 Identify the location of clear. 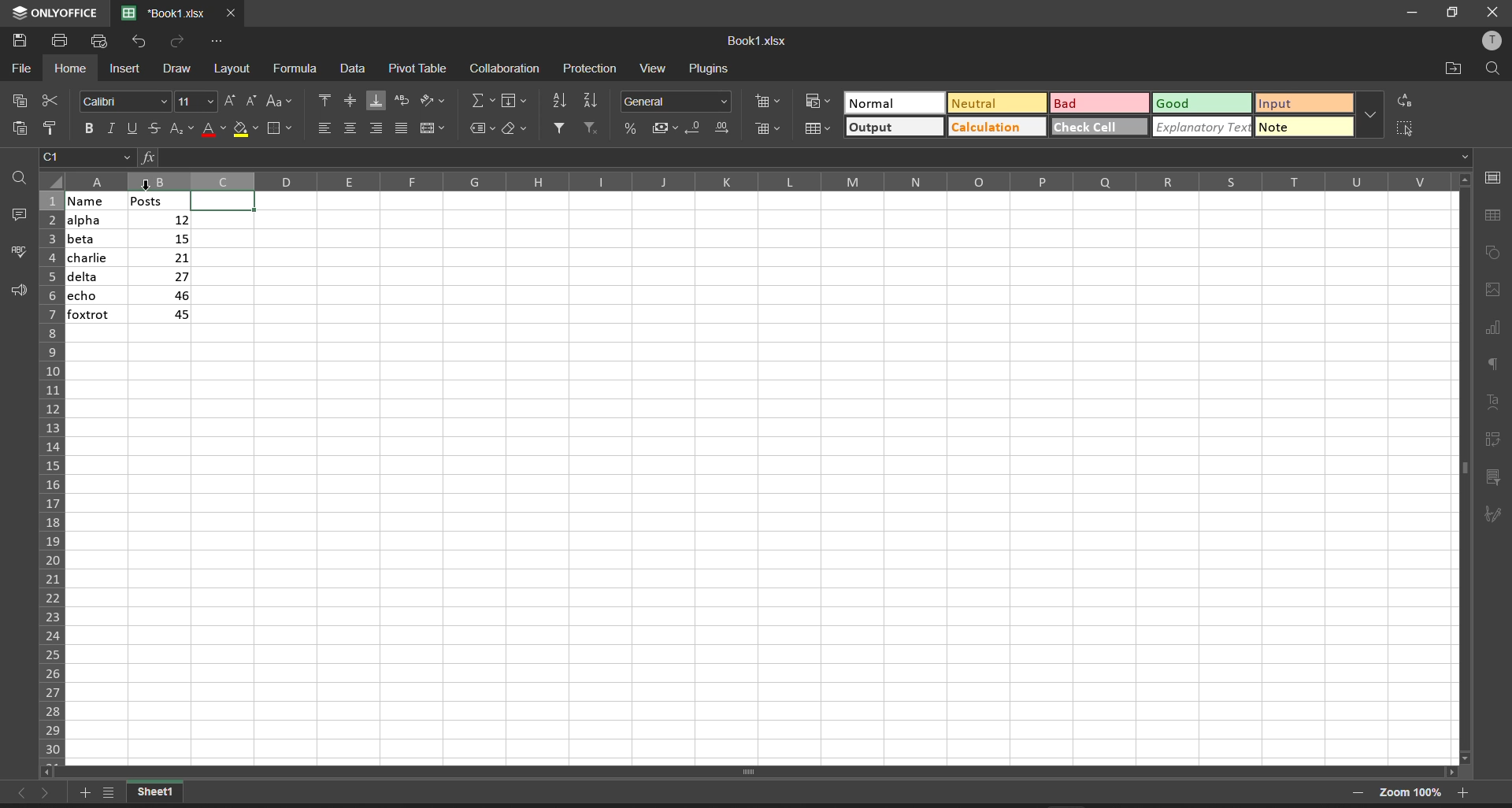
(517, 127).